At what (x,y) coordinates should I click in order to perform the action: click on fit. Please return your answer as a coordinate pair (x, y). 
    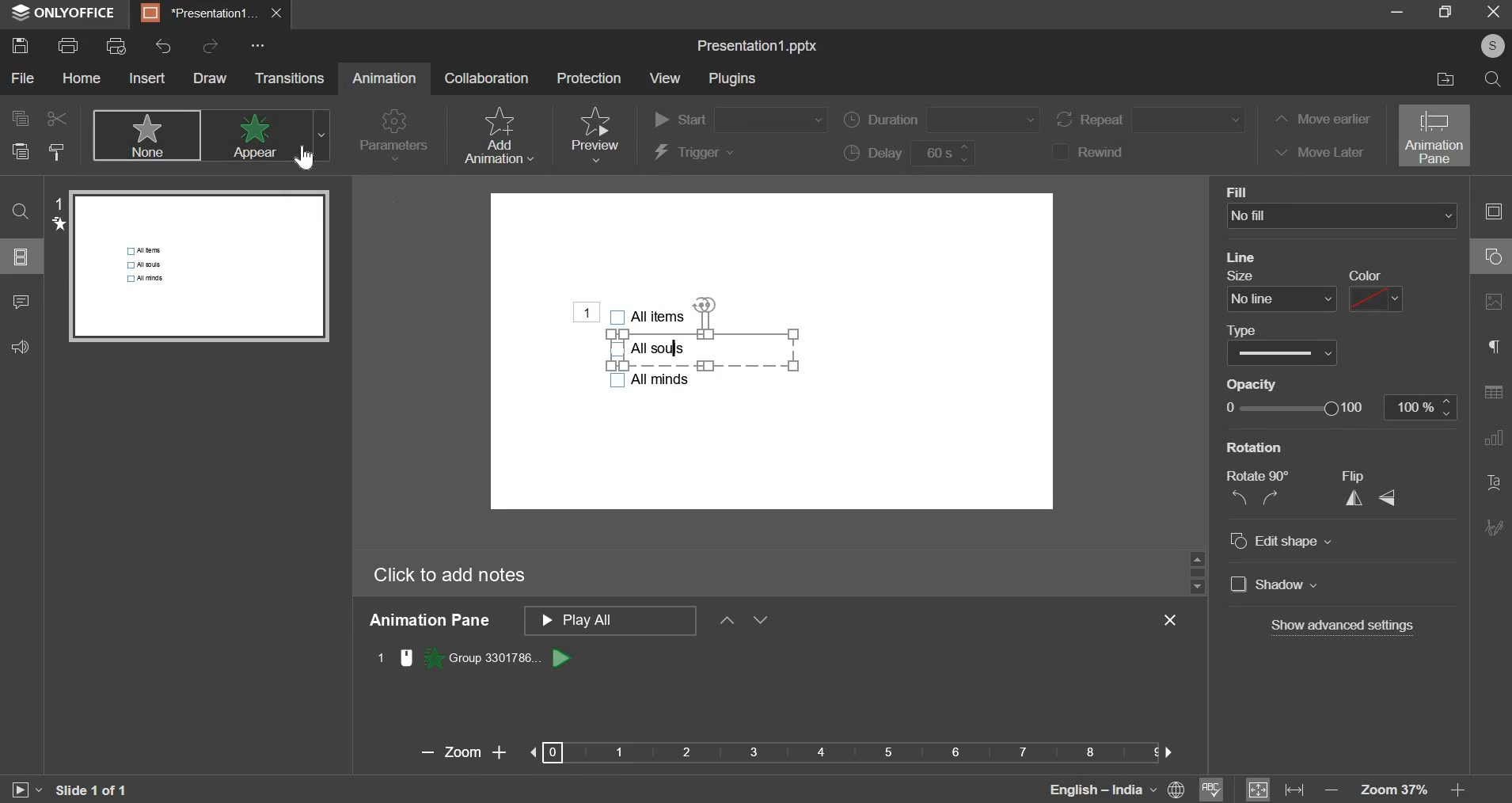
    Looking at the image, I should click on (1275, 788).